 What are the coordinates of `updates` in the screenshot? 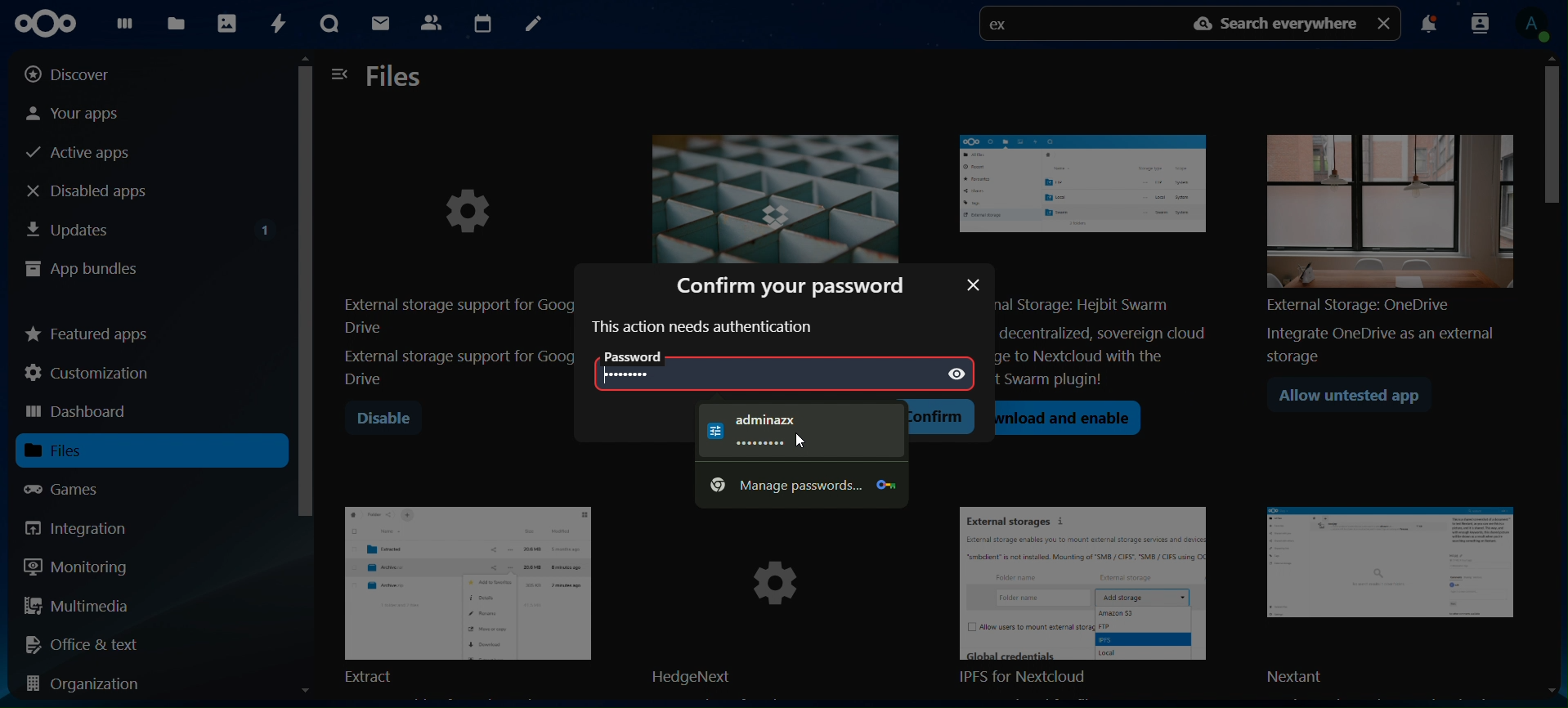 It's located at (150, 226).